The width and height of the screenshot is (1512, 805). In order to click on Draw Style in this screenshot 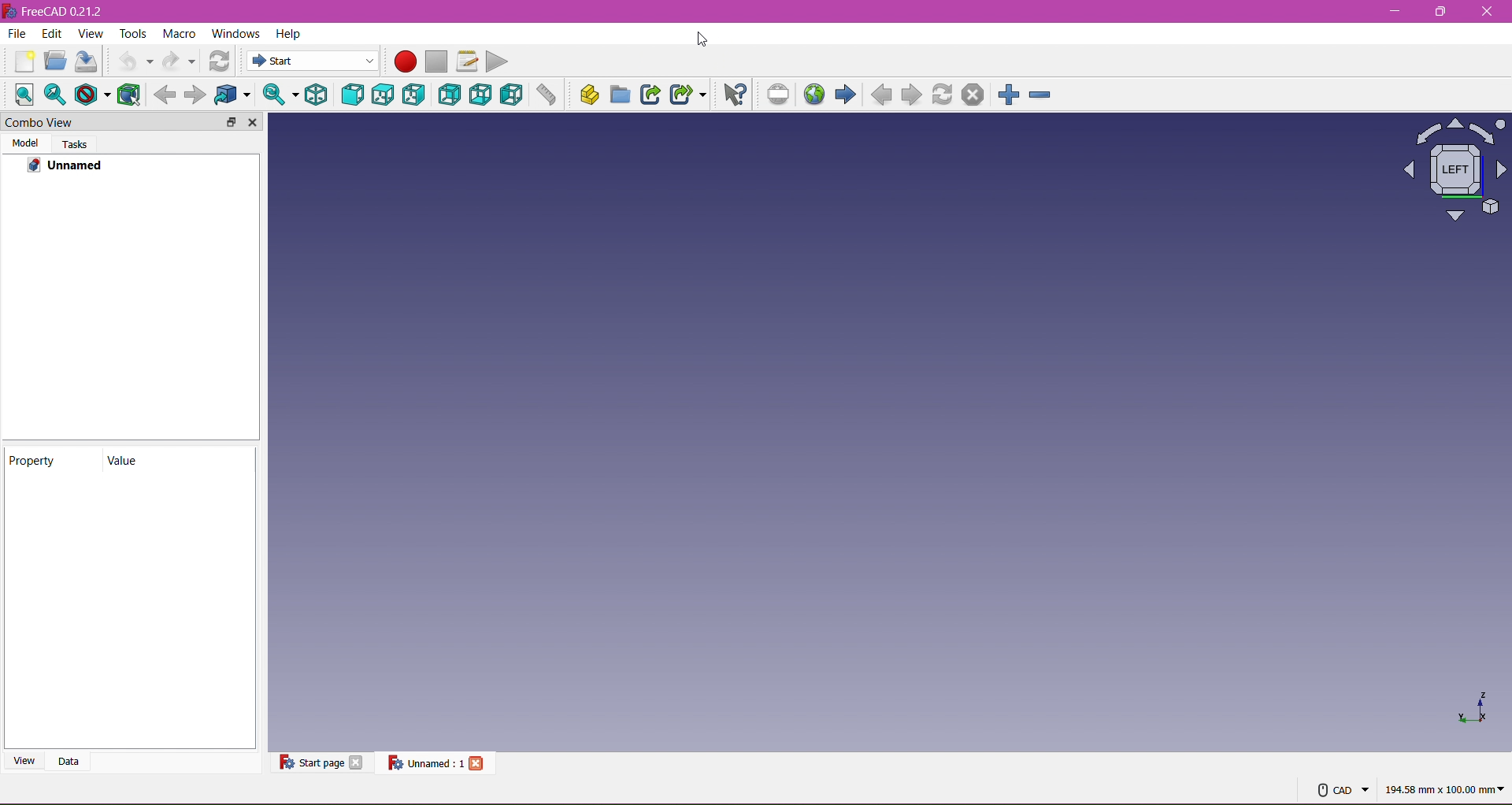, I will do `click(92, 96)`.